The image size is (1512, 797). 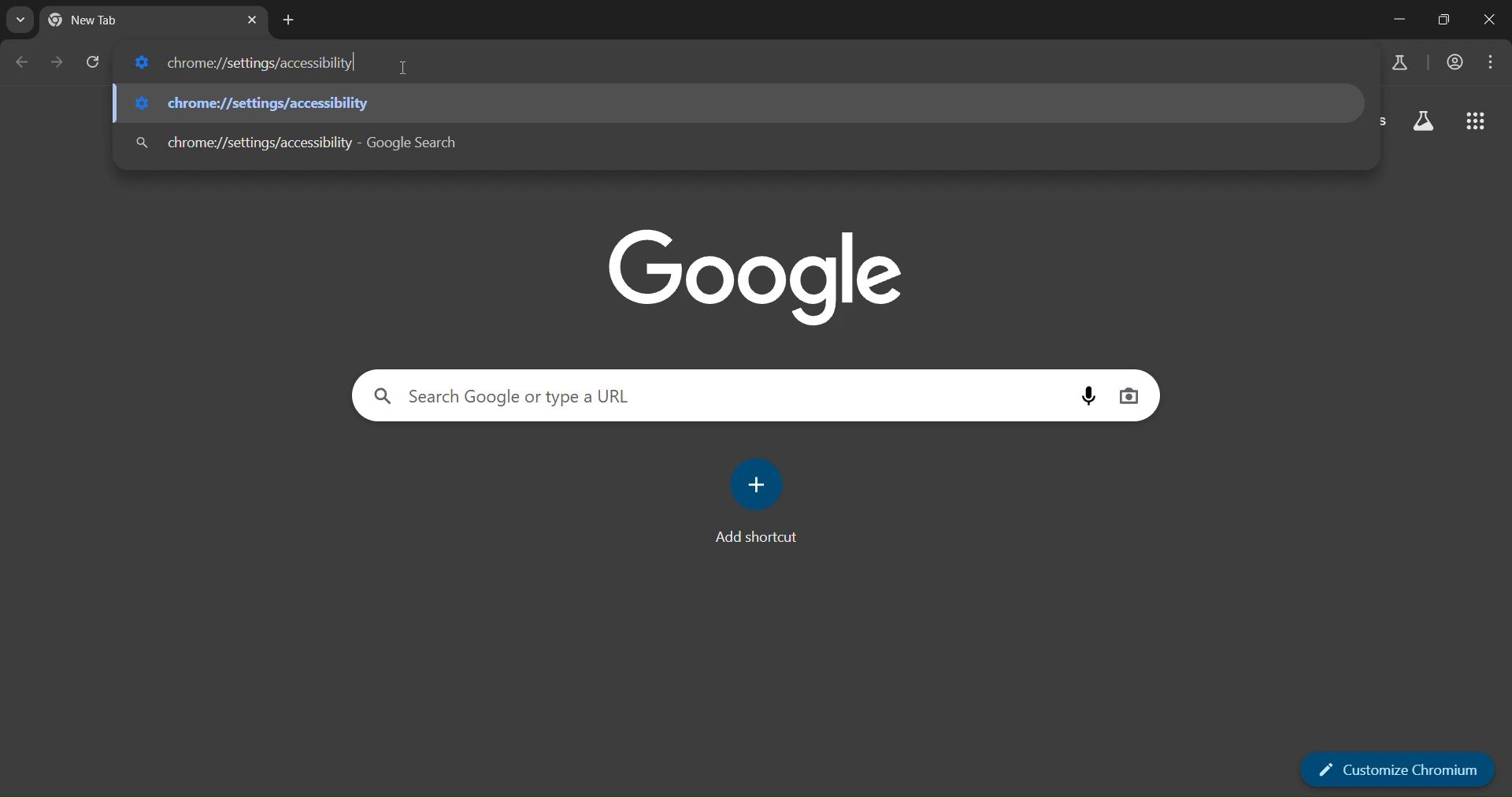 I want to click on Add shortcut, so click(x=753, y=539).